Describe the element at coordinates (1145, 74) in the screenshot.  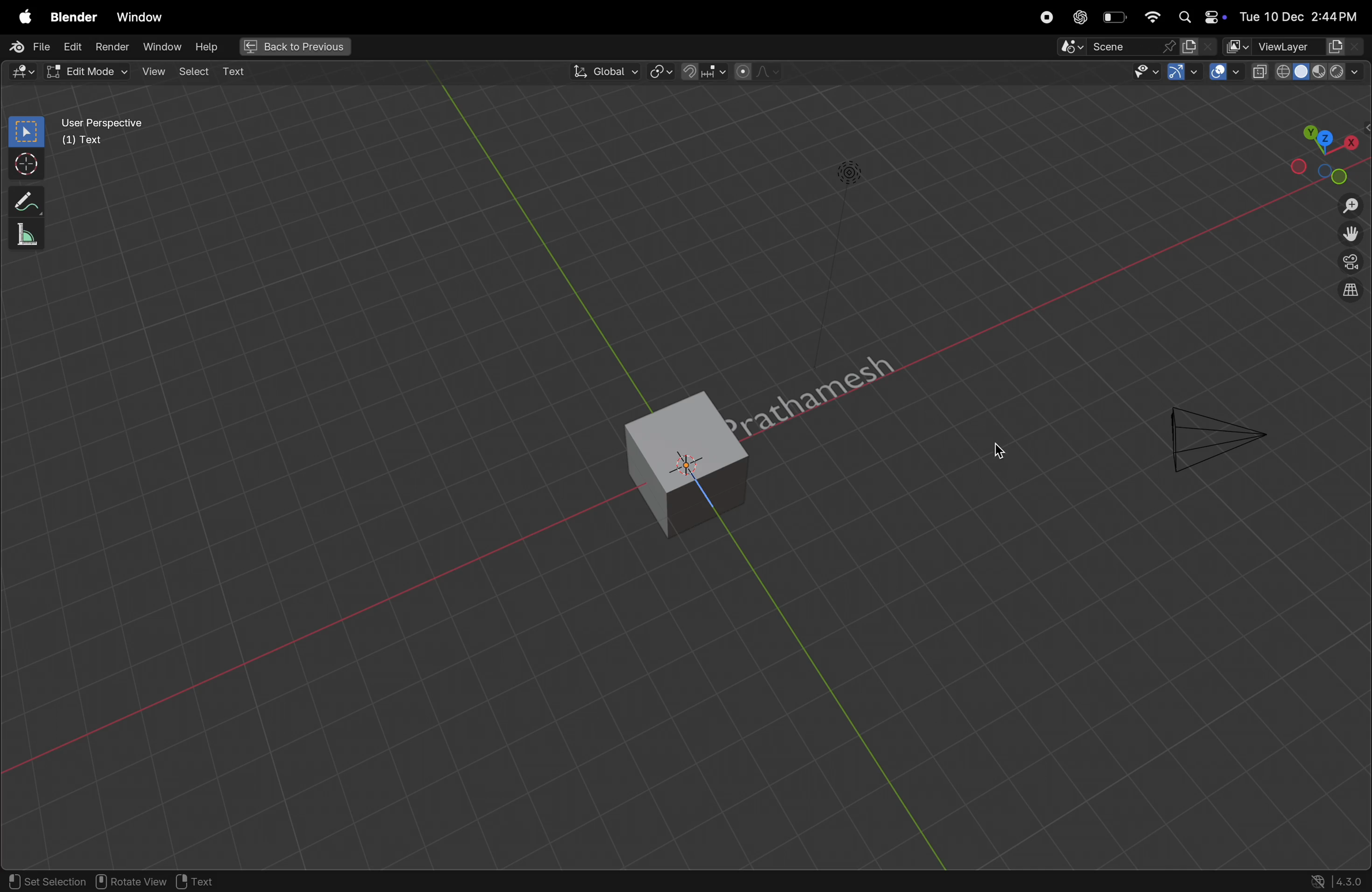
I see `visibility` at that location.